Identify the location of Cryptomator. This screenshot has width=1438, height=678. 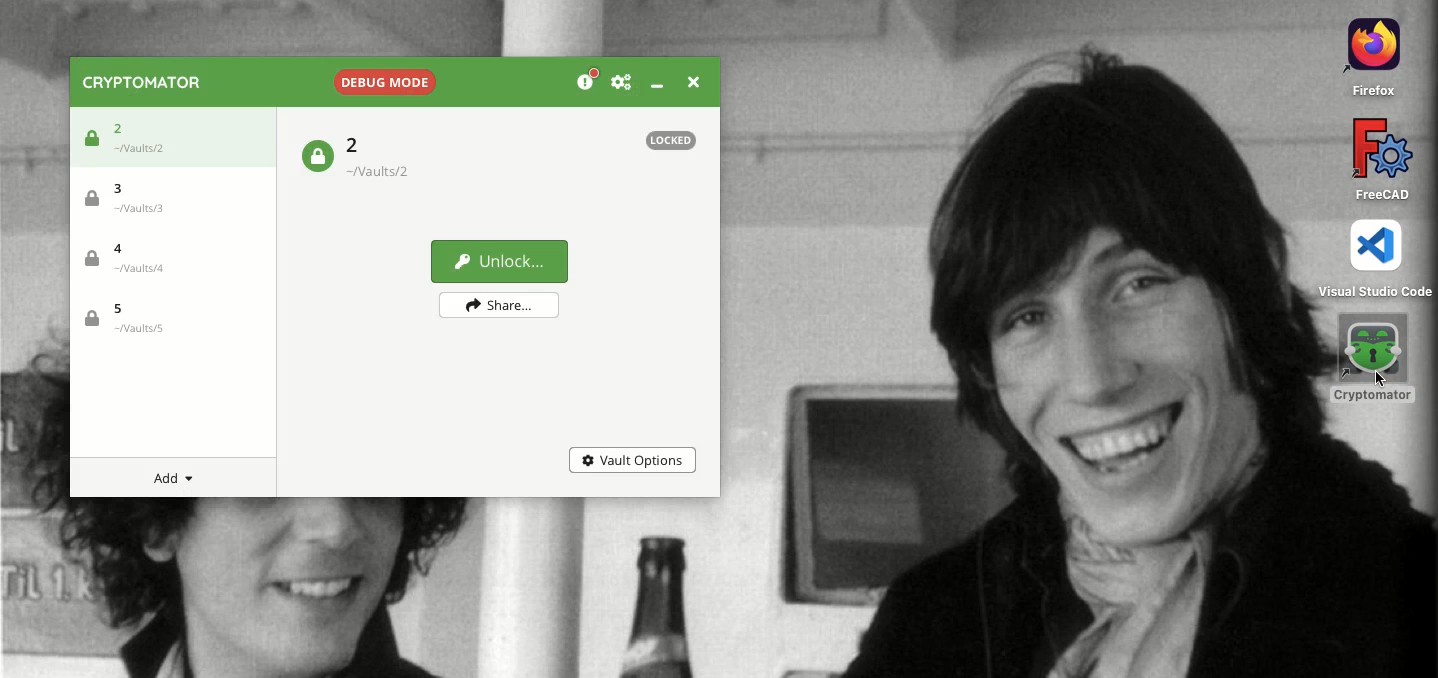
(1374, 358).